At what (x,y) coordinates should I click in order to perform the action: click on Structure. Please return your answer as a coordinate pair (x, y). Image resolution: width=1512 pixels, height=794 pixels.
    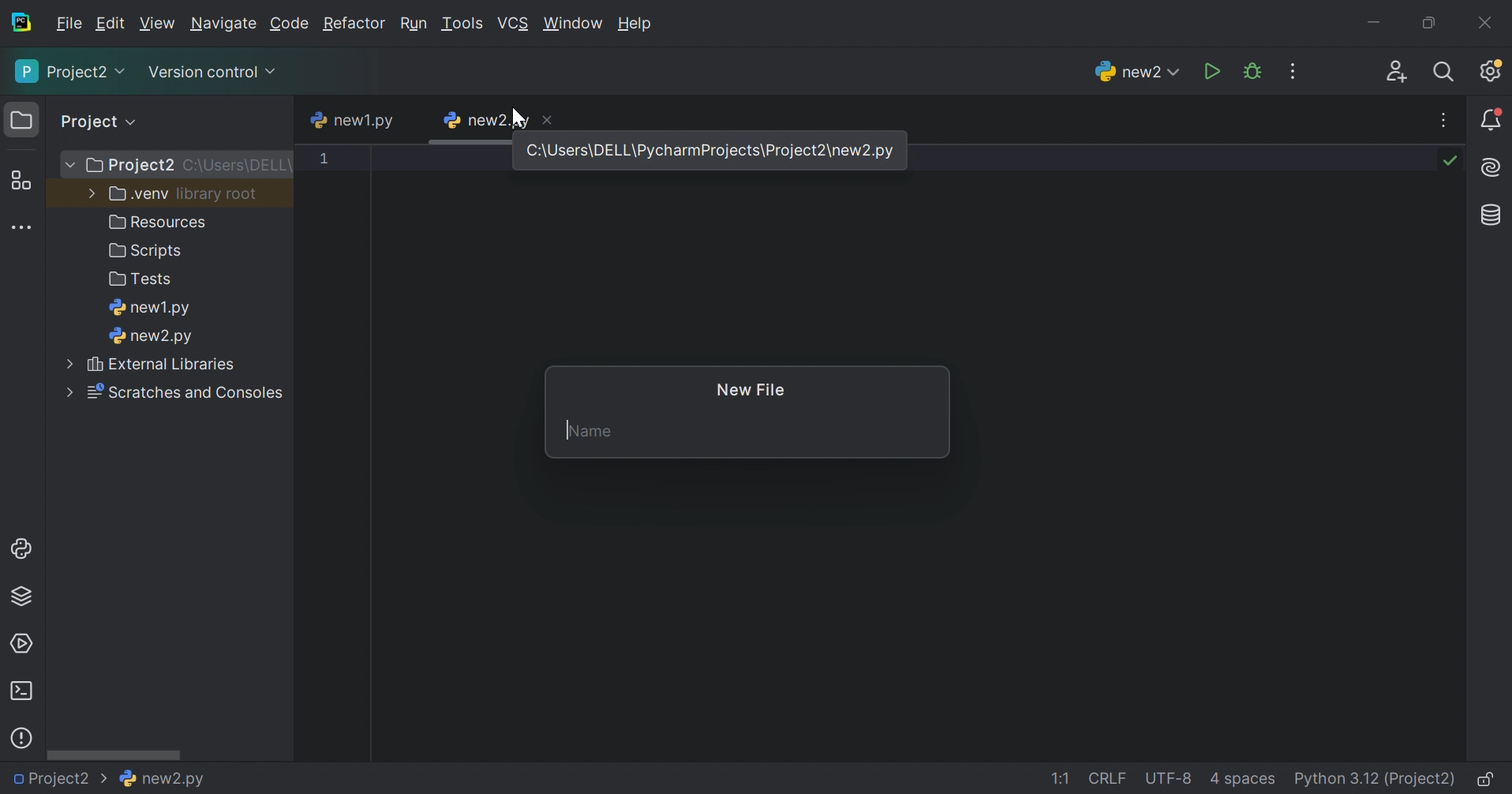
    Looking at the image, I should click on (20, 180).